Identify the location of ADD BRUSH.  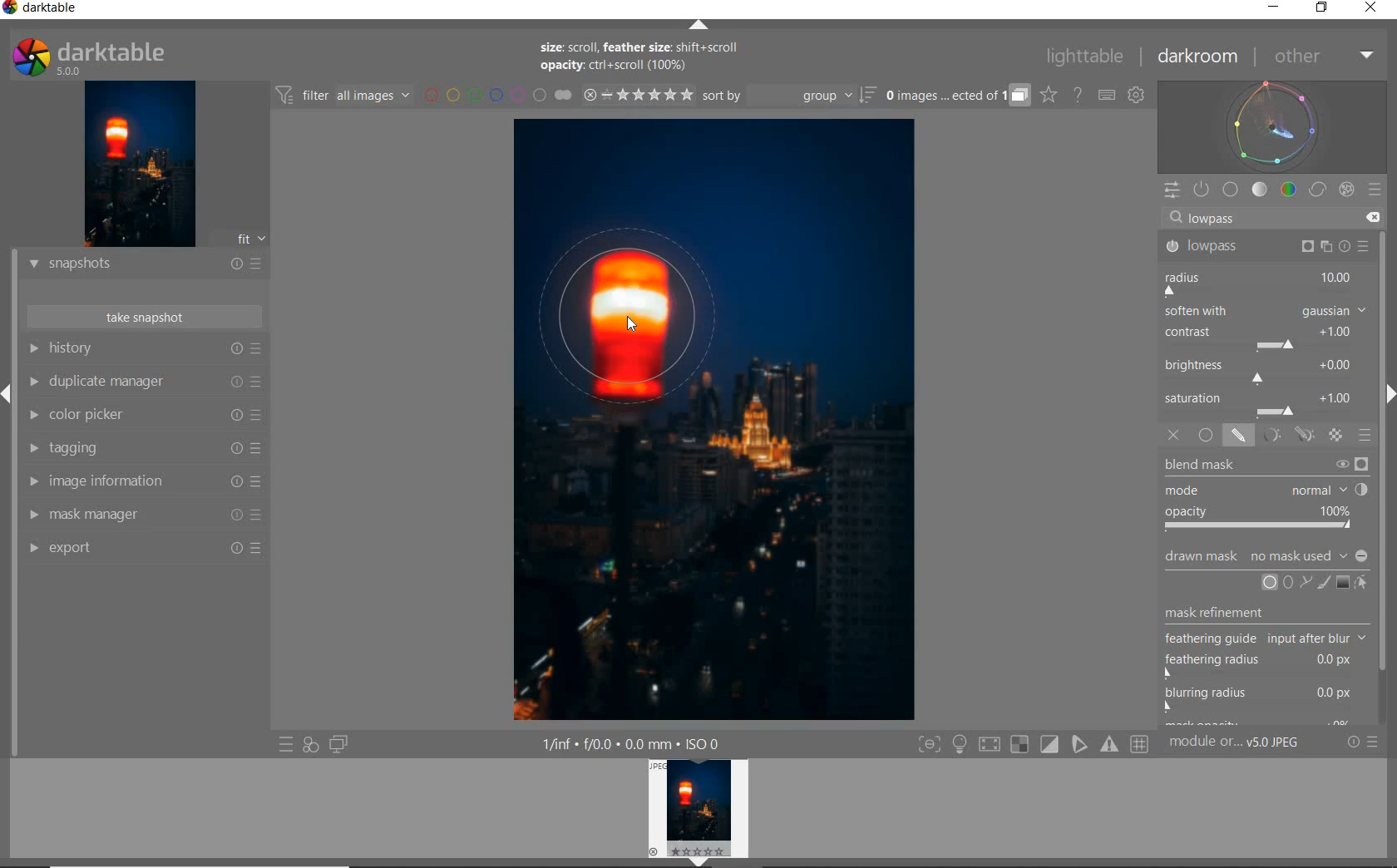
(1322, 582).